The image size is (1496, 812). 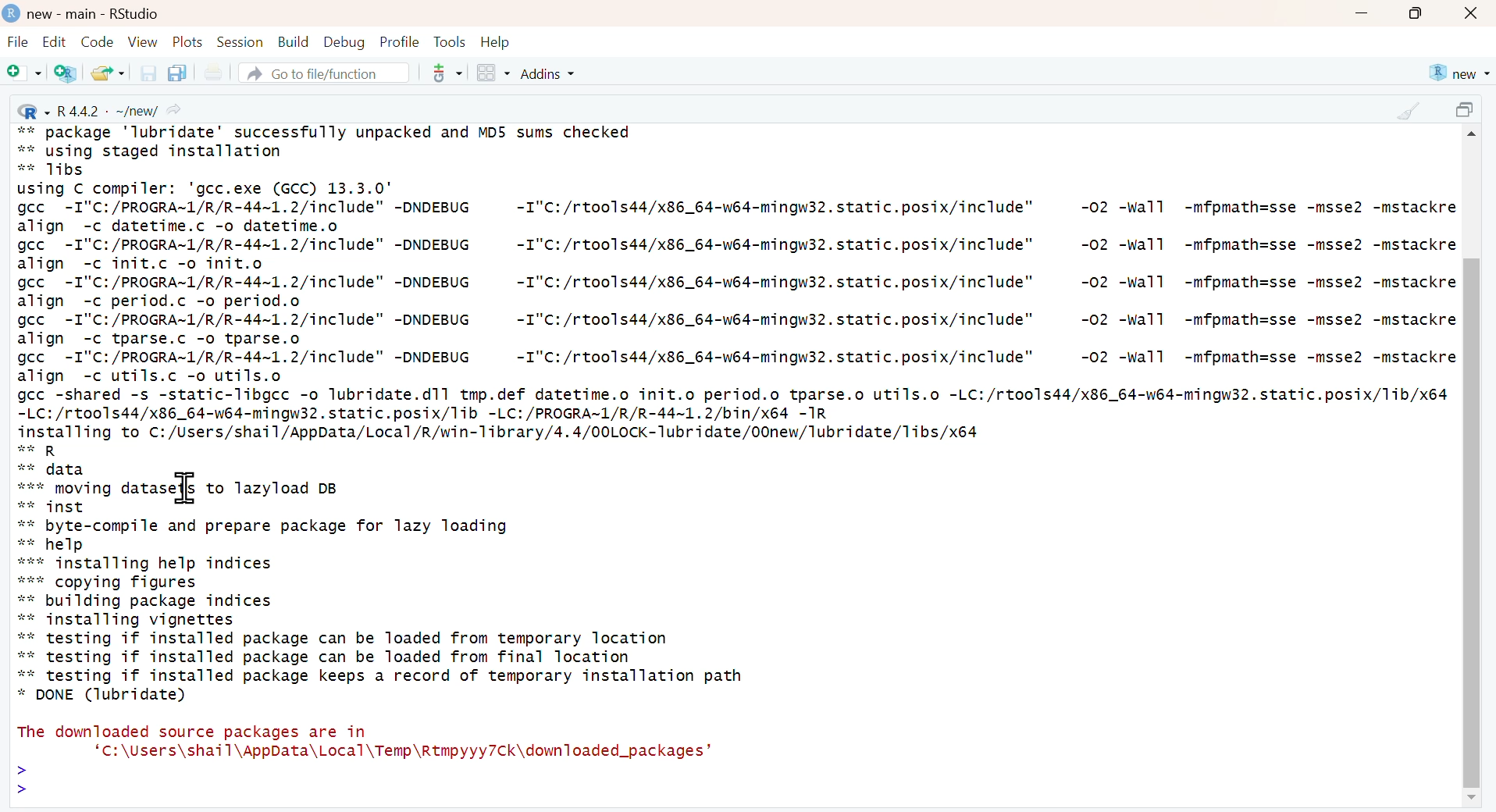 I want to click on Help, so click(x=496, y=42).